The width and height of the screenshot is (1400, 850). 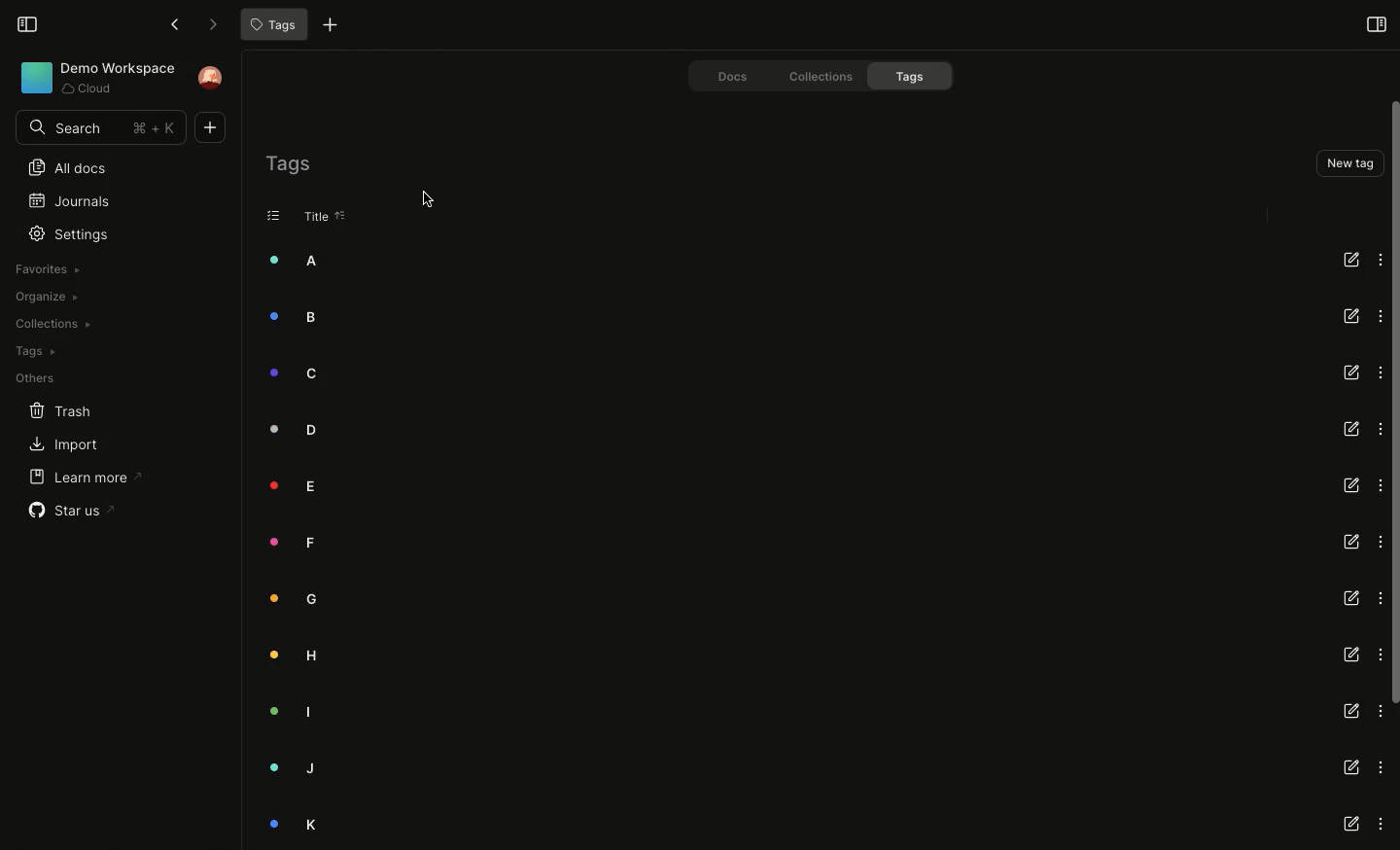 I want to click on Options, so click(x=1379, y=372).